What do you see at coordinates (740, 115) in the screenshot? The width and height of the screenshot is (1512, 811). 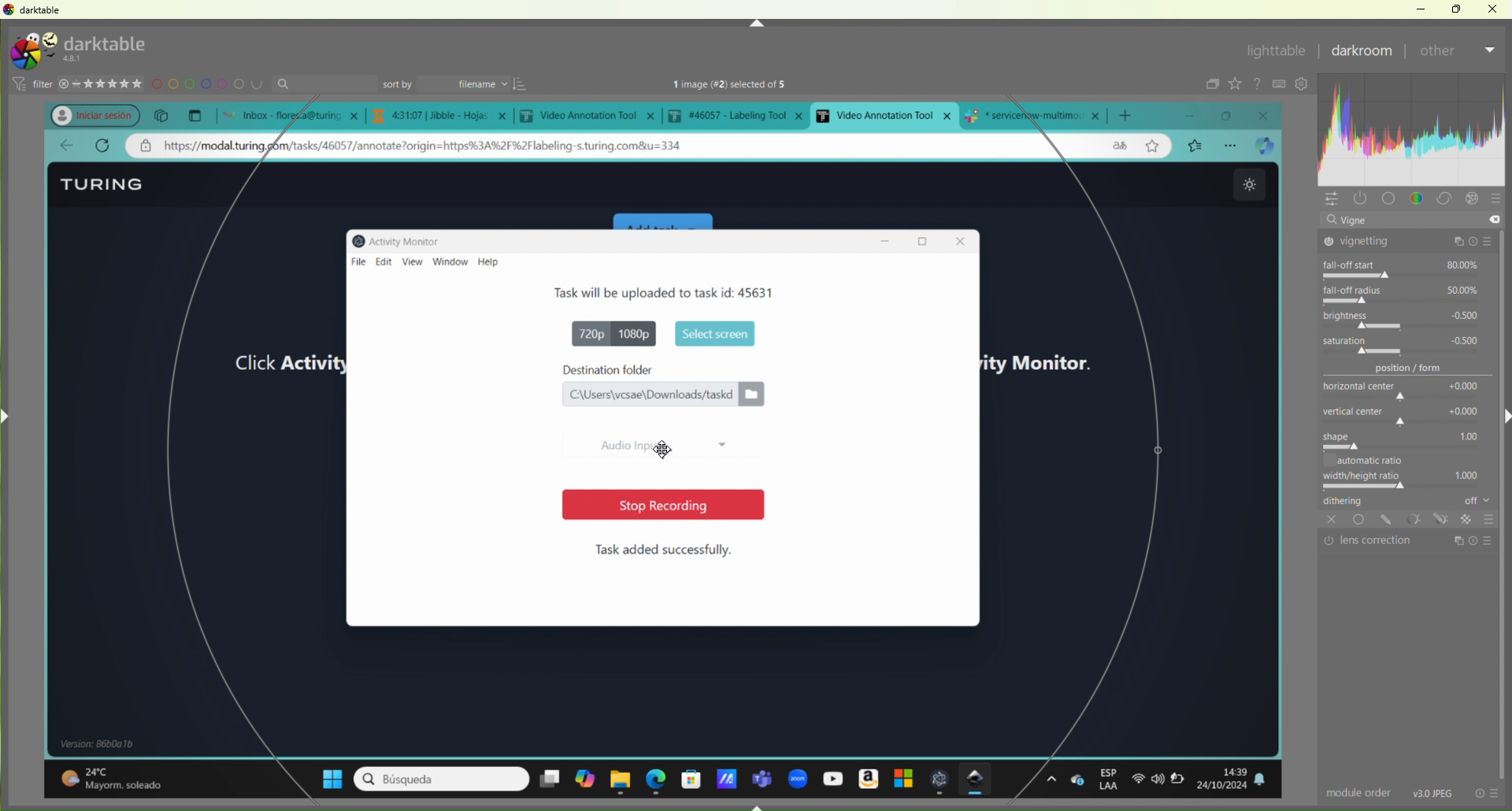 I see `tab` at bounding box center [740, 115].